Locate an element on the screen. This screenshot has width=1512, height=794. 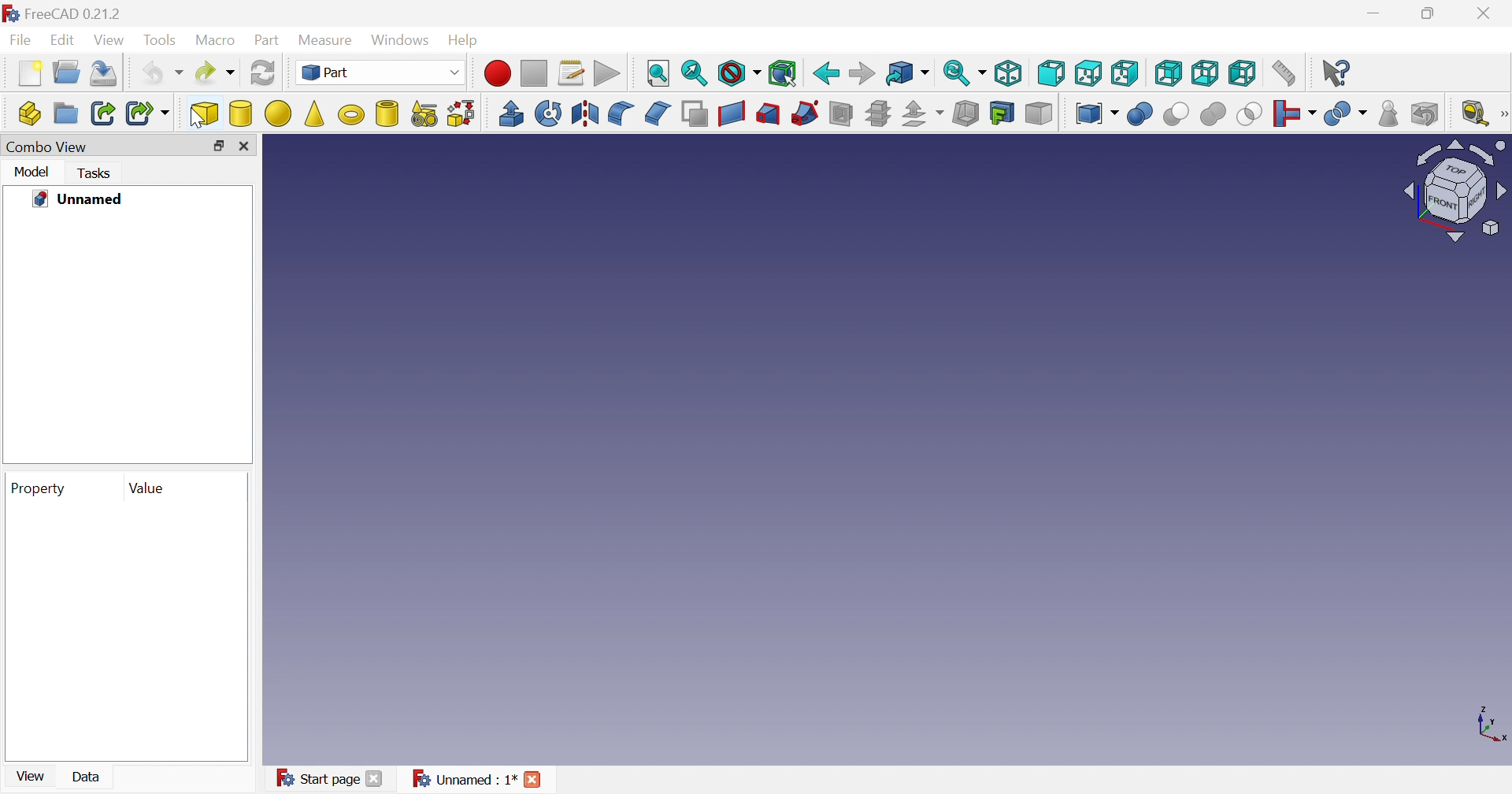
Cone is located at coordinates (315, 114).